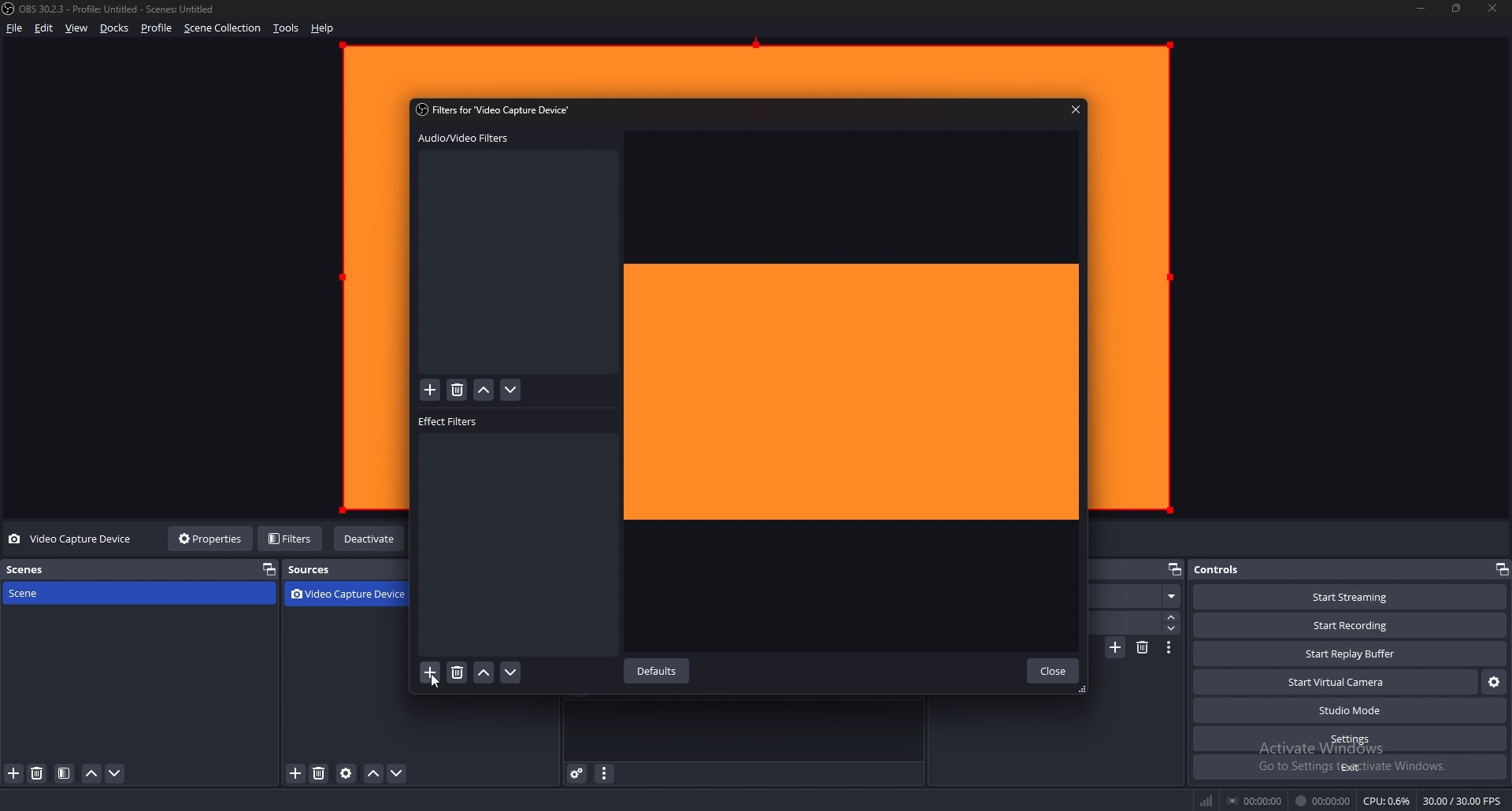 The image size is (1512, 811). What do you see at coordinates (73, 593) in the screenshot?
I see `scene` at bounding box center [73, 593].